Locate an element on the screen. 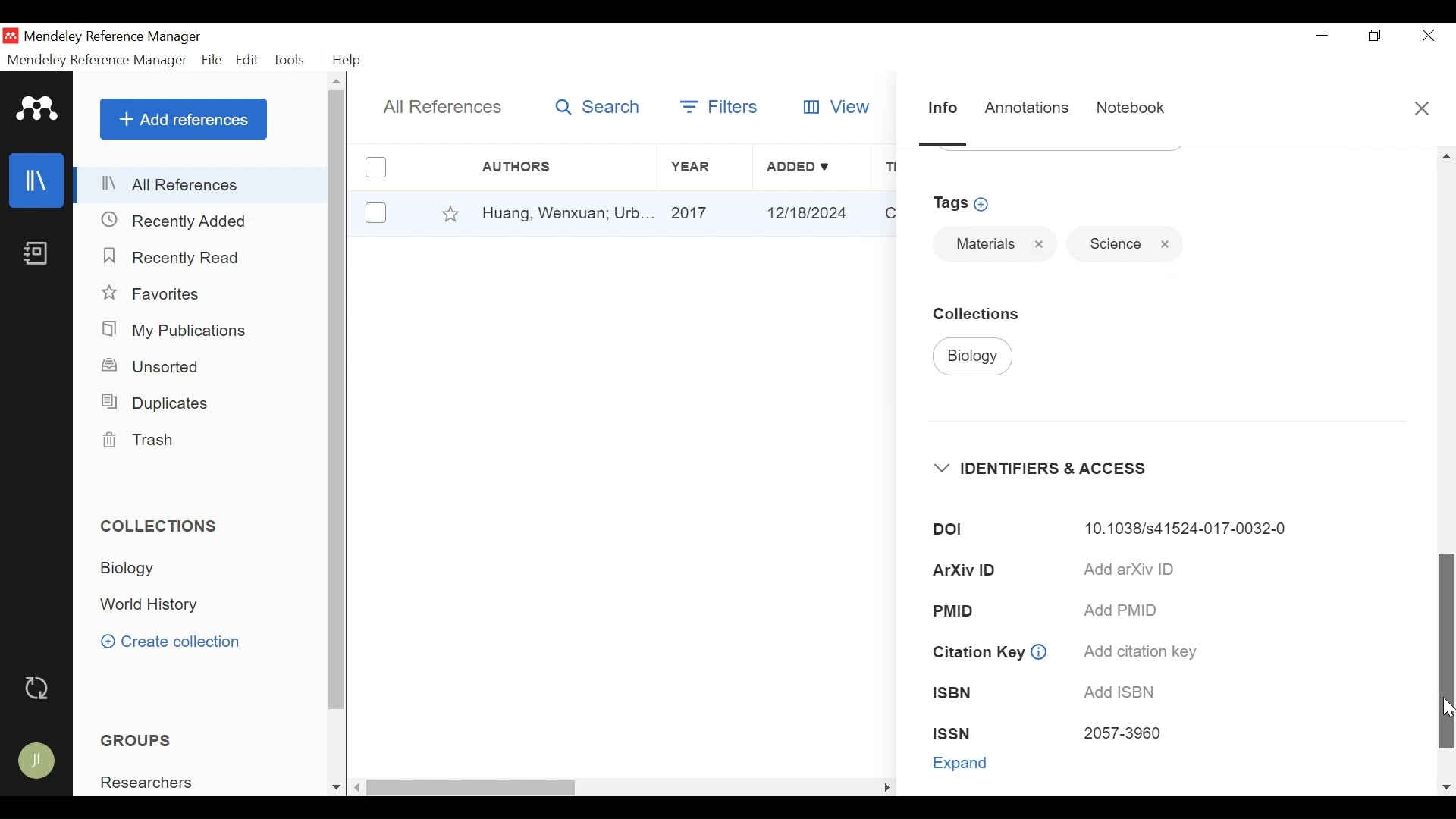 The image size is (1456, 819). Avatar is located at coordinates (36, 761).